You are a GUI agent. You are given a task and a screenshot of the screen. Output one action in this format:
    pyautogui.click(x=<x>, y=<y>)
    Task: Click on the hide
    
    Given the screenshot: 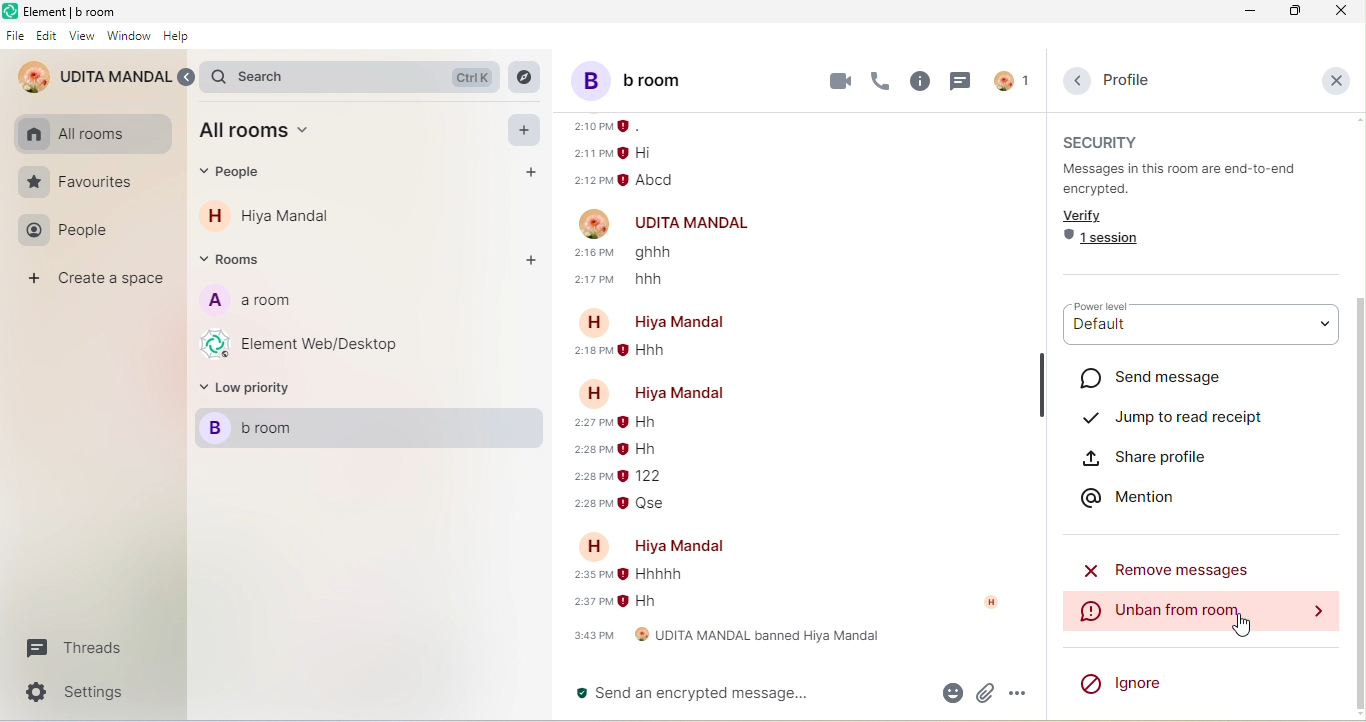 What is the action you would take?
    pyautogui.click(x=1042, y=383)
    